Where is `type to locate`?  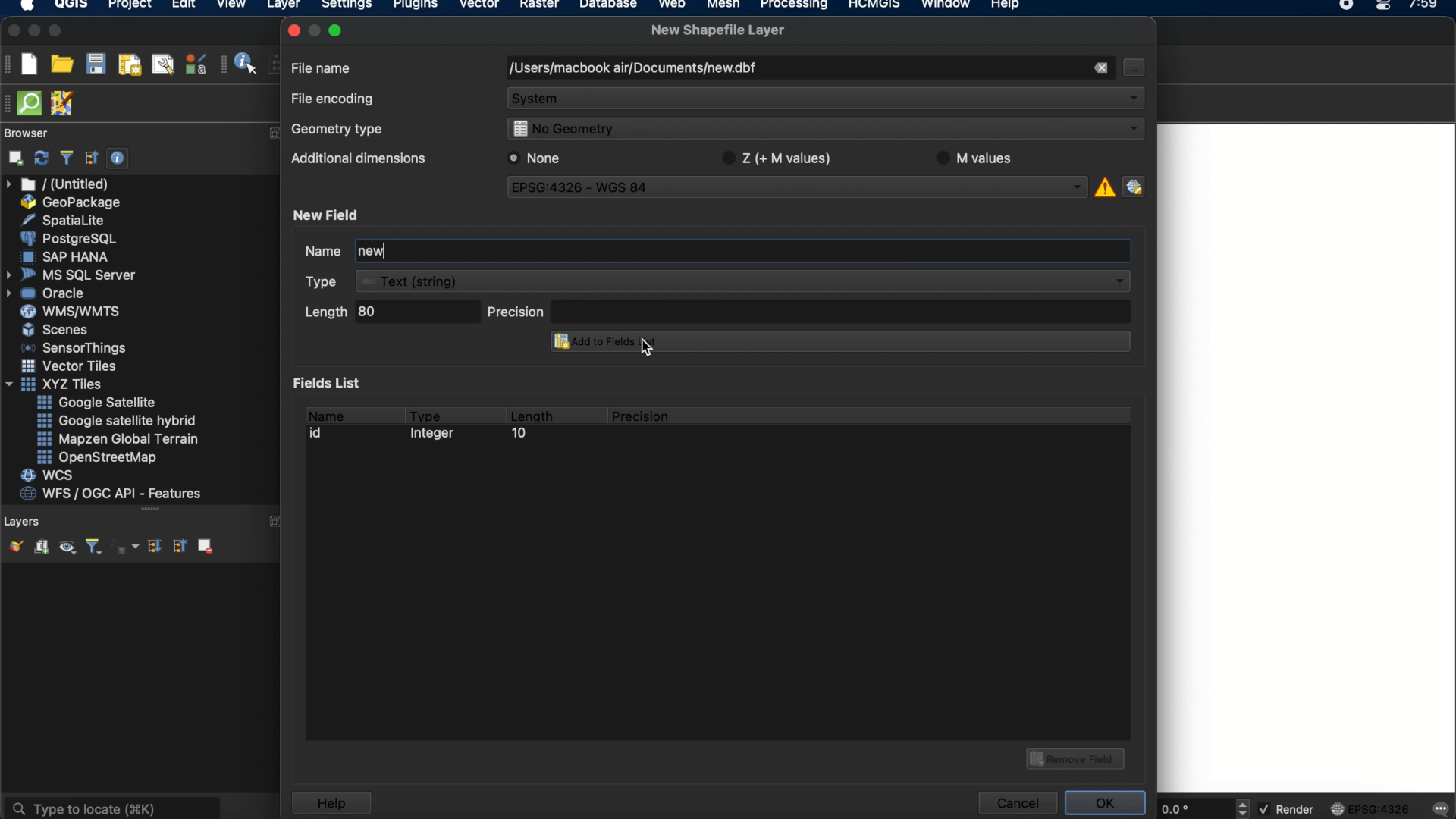
type to locate is located at coordinates (111, 807).